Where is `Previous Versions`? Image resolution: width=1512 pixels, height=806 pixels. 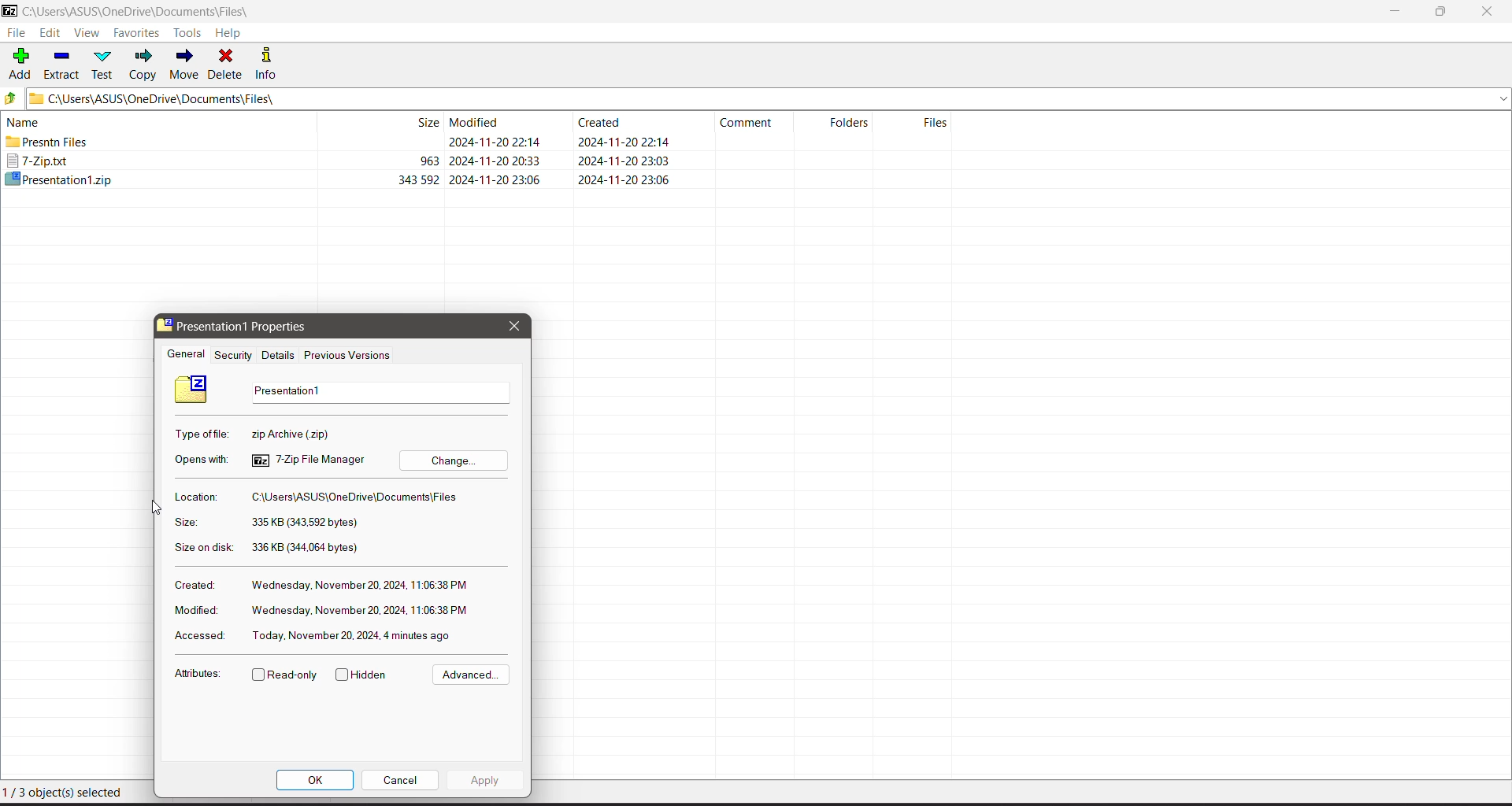
Previous Versions is located at coordinates (348, 355).